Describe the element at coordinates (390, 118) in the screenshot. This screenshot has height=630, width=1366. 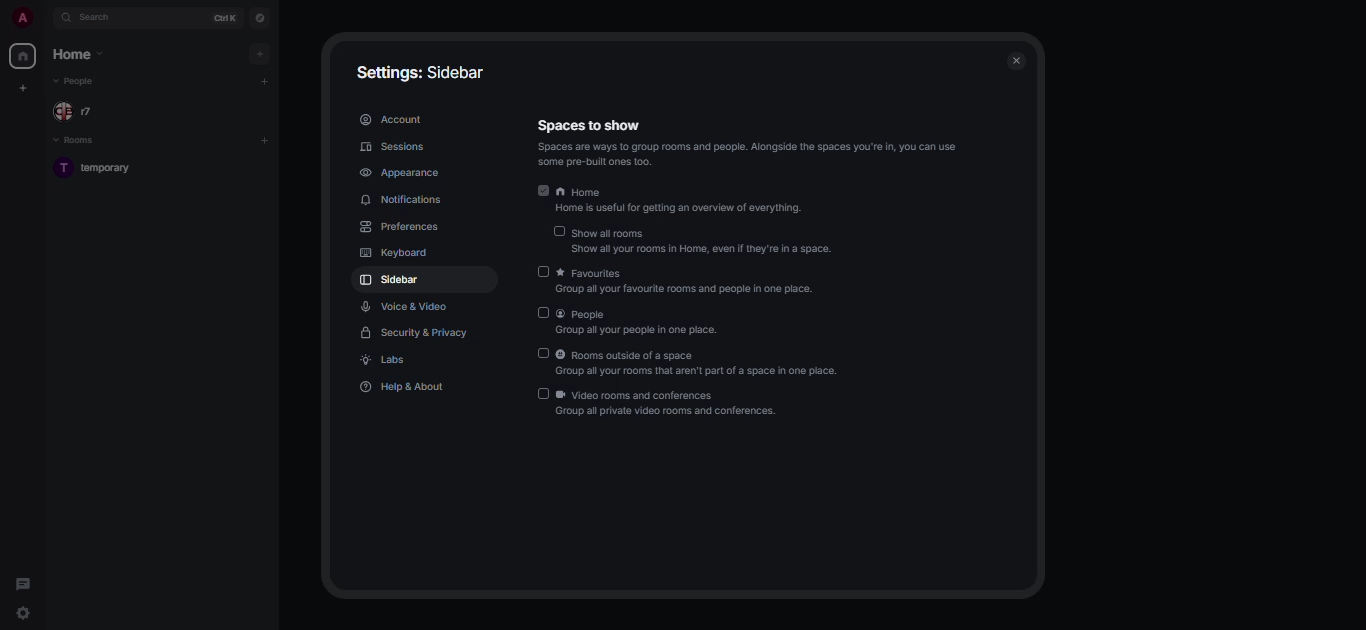
I see `account` at that location.